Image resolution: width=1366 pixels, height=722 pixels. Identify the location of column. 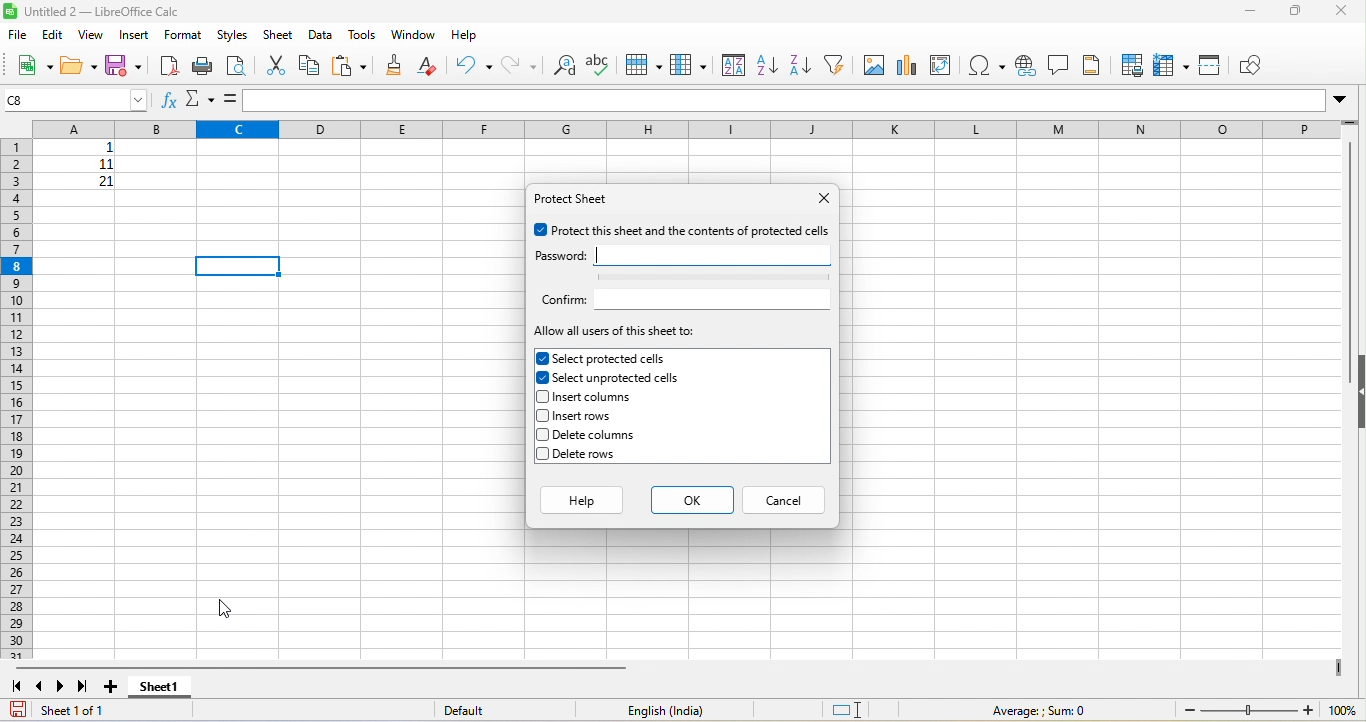
(688, 64).